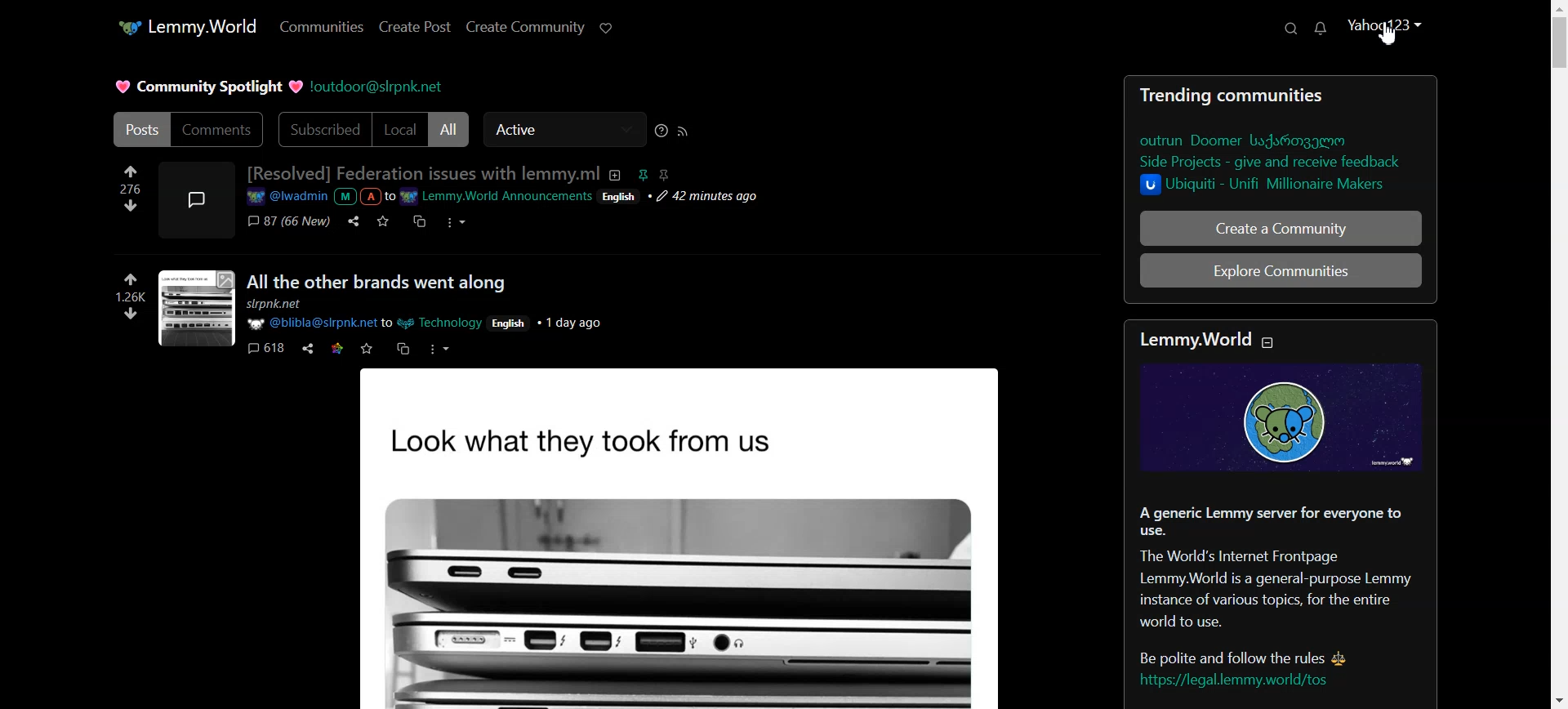 The image size is (1568, 709). Describe the element at coordinates (321, 129) in the screenshot. I see `Subscribed` at that location.